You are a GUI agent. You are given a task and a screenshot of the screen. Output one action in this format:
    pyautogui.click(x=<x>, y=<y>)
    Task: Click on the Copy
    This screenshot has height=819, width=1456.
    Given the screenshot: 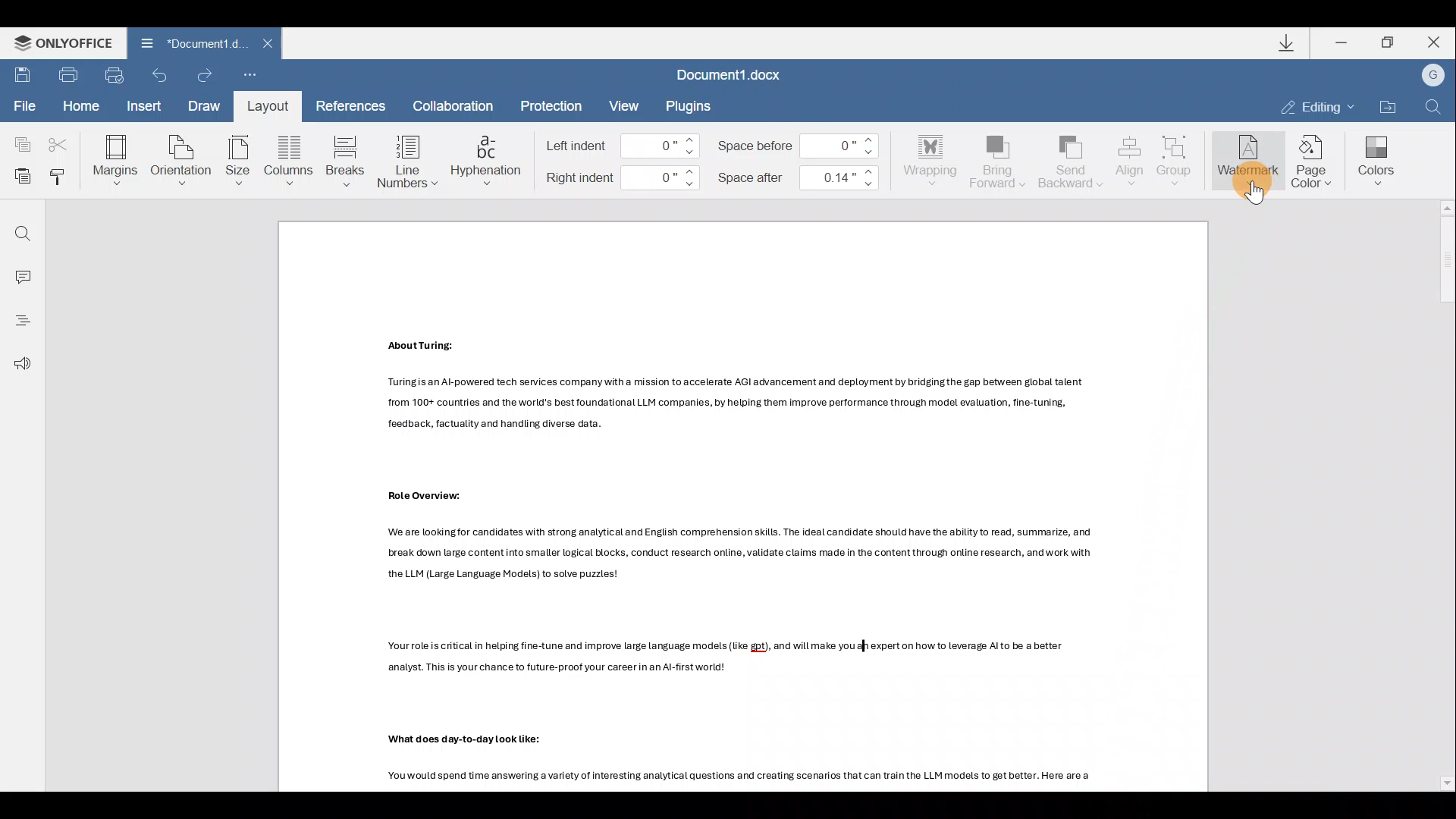 What is the action you would take?
    pyautogui.click(x=19, y=142)
    